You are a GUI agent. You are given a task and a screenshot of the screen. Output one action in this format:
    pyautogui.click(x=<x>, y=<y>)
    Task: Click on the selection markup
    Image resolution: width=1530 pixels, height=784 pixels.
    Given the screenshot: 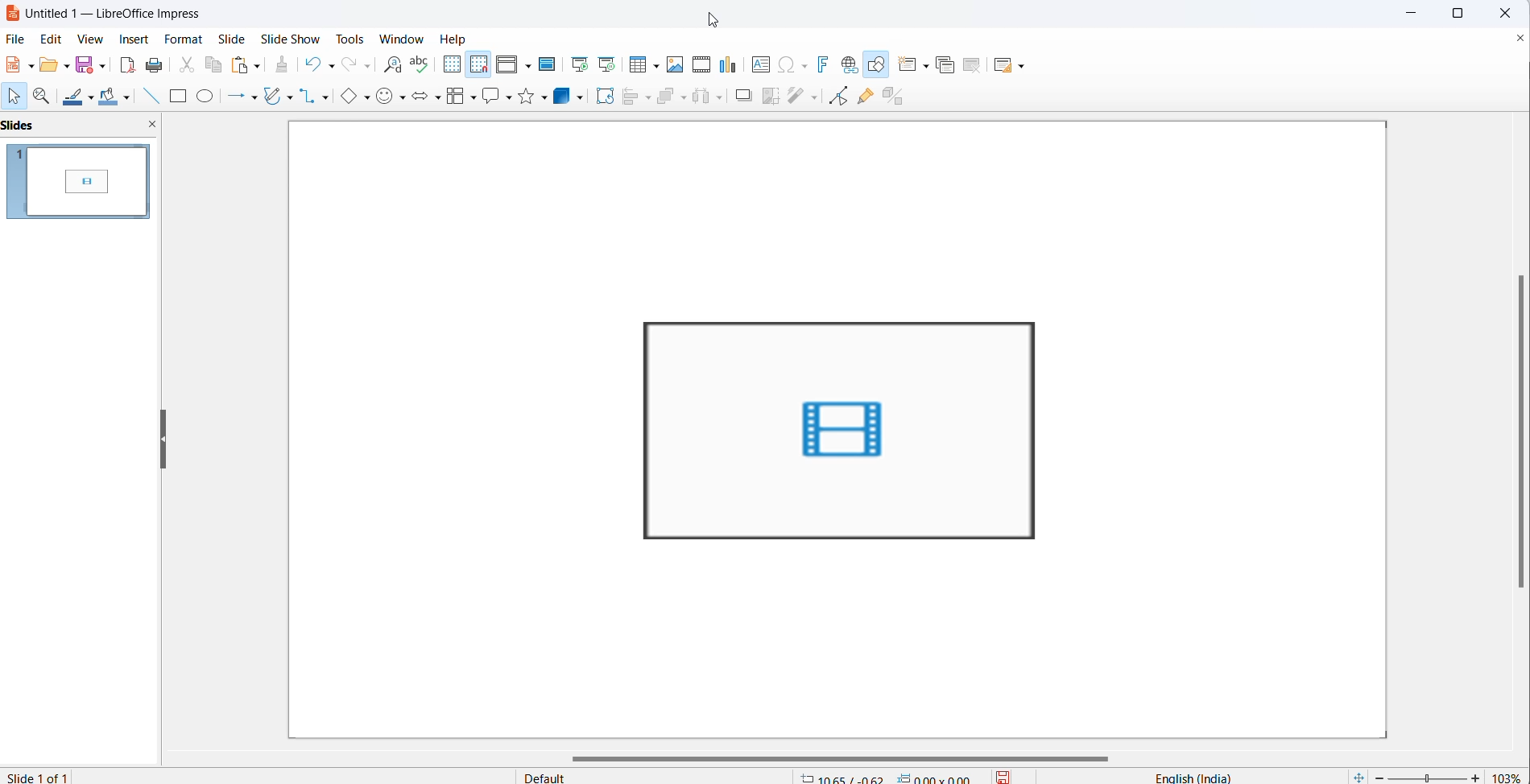 What is the action you would take?
    pyautogui.click(x=635, y=318)
    